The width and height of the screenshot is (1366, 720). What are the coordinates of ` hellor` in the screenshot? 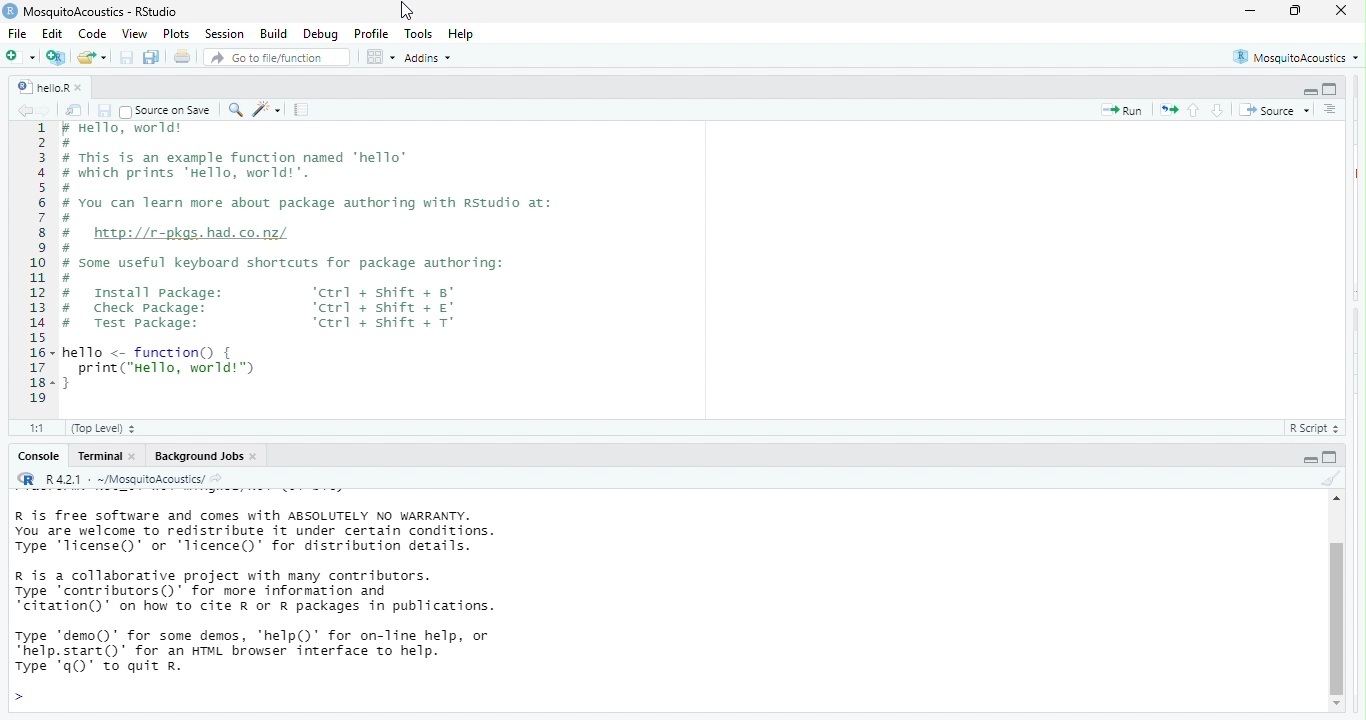 It's located at (38, 84).